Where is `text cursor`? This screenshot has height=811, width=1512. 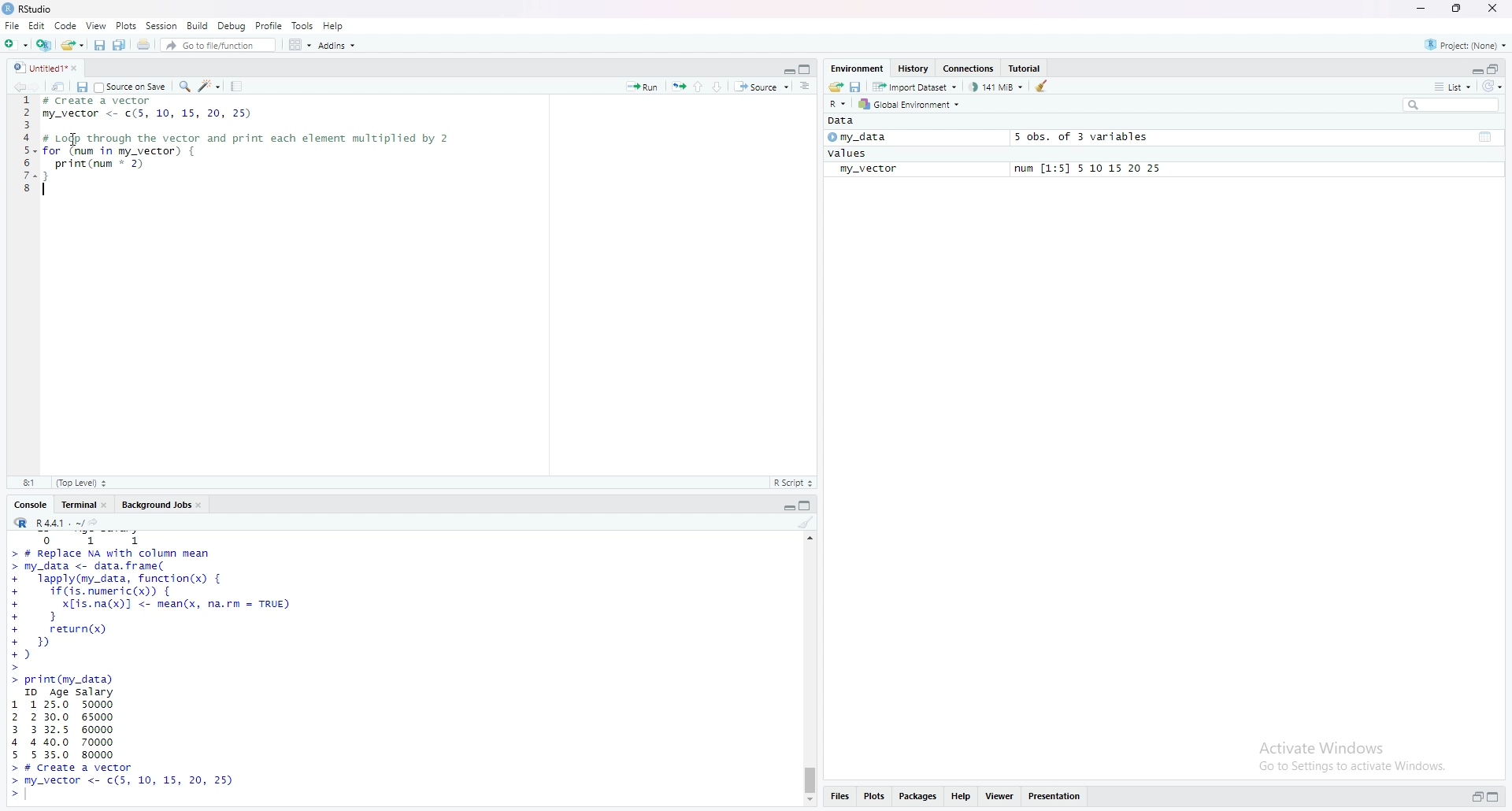
text cursor is located at coordinates (45, 190).